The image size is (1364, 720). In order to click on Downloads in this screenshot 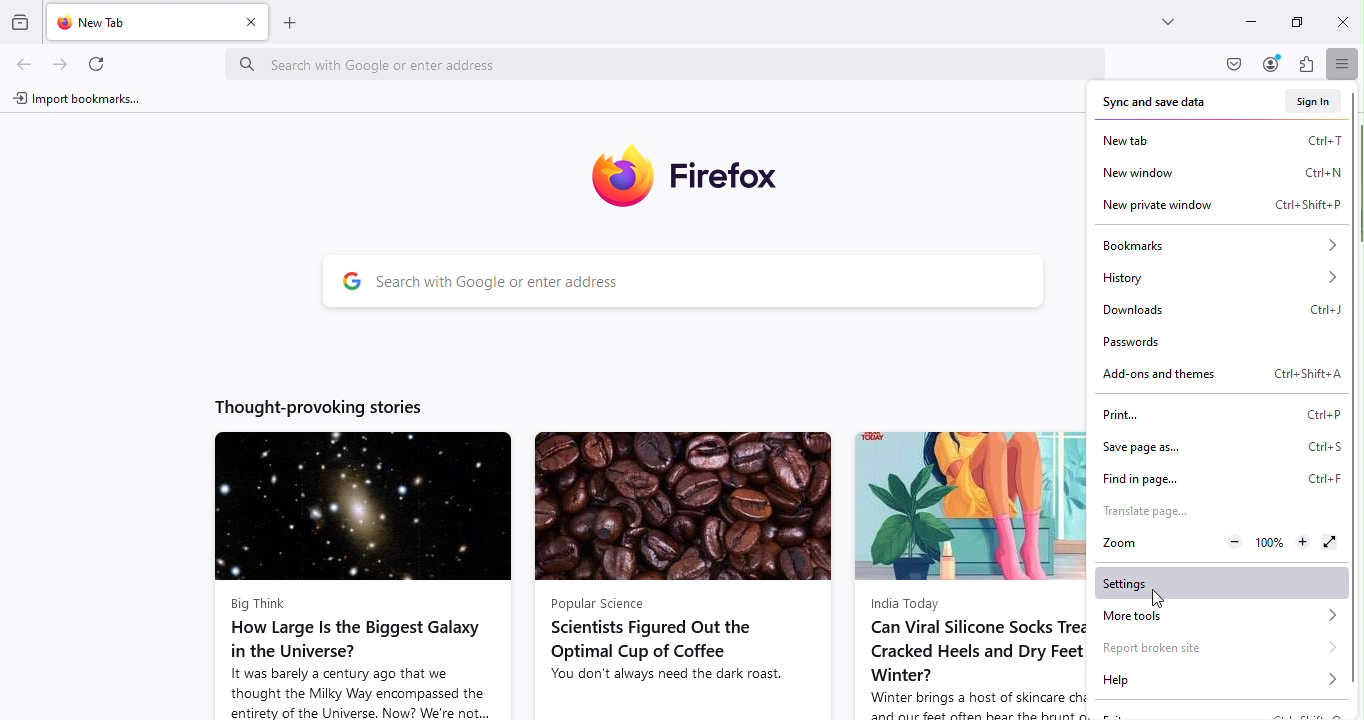, I will do `click(1216, 310)`.